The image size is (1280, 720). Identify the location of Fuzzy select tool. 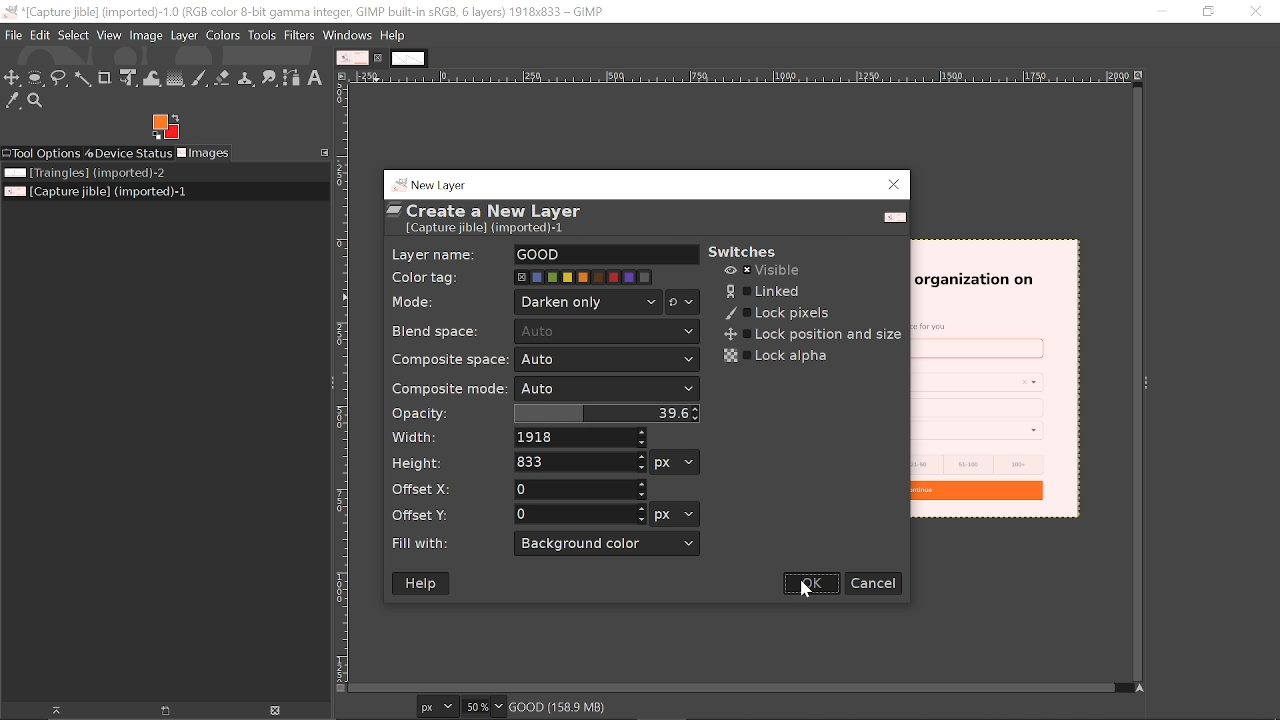
(81, 81).